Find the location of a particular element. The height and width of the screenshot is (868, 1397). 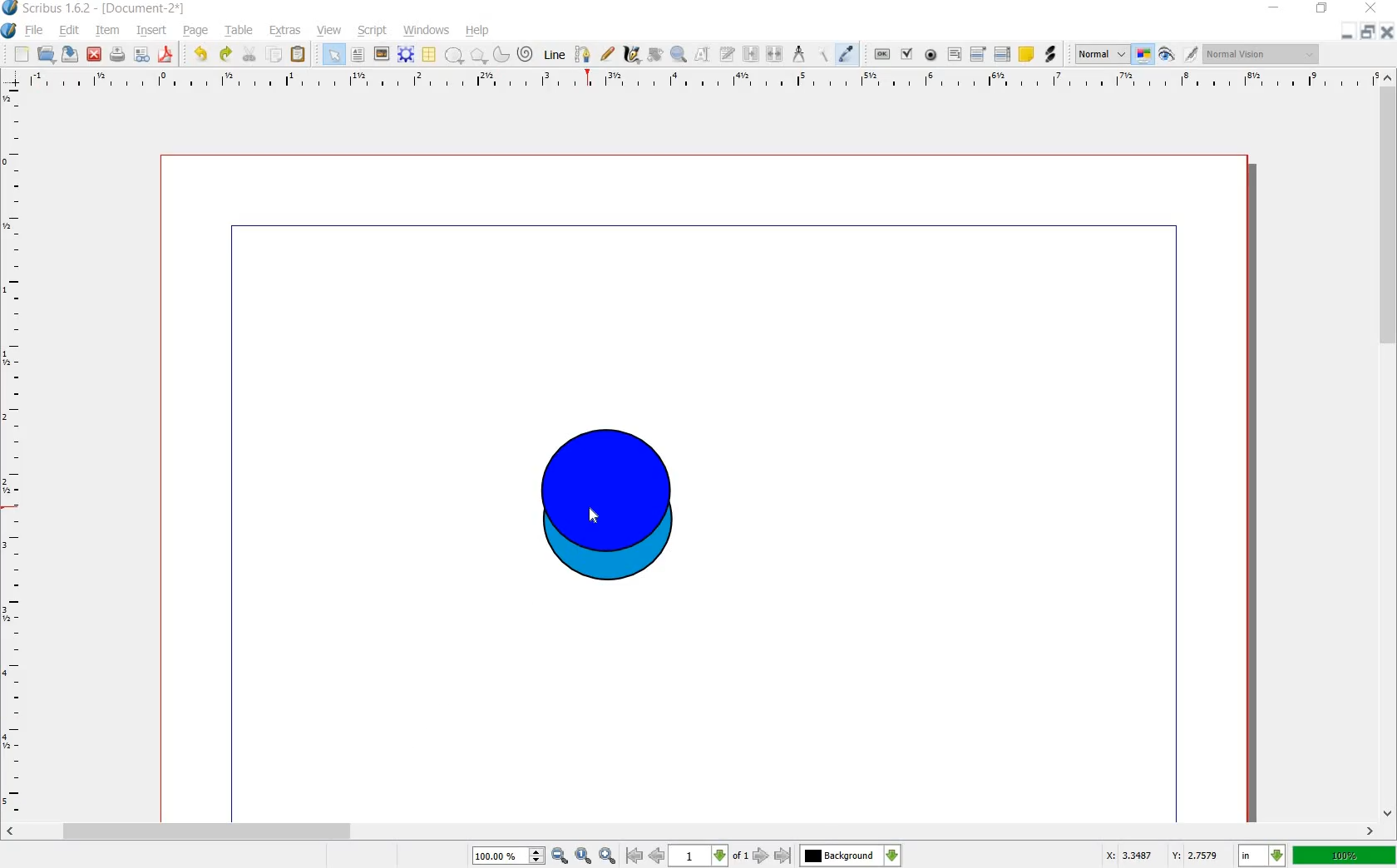

text frame is located at coordinates (358, 55).